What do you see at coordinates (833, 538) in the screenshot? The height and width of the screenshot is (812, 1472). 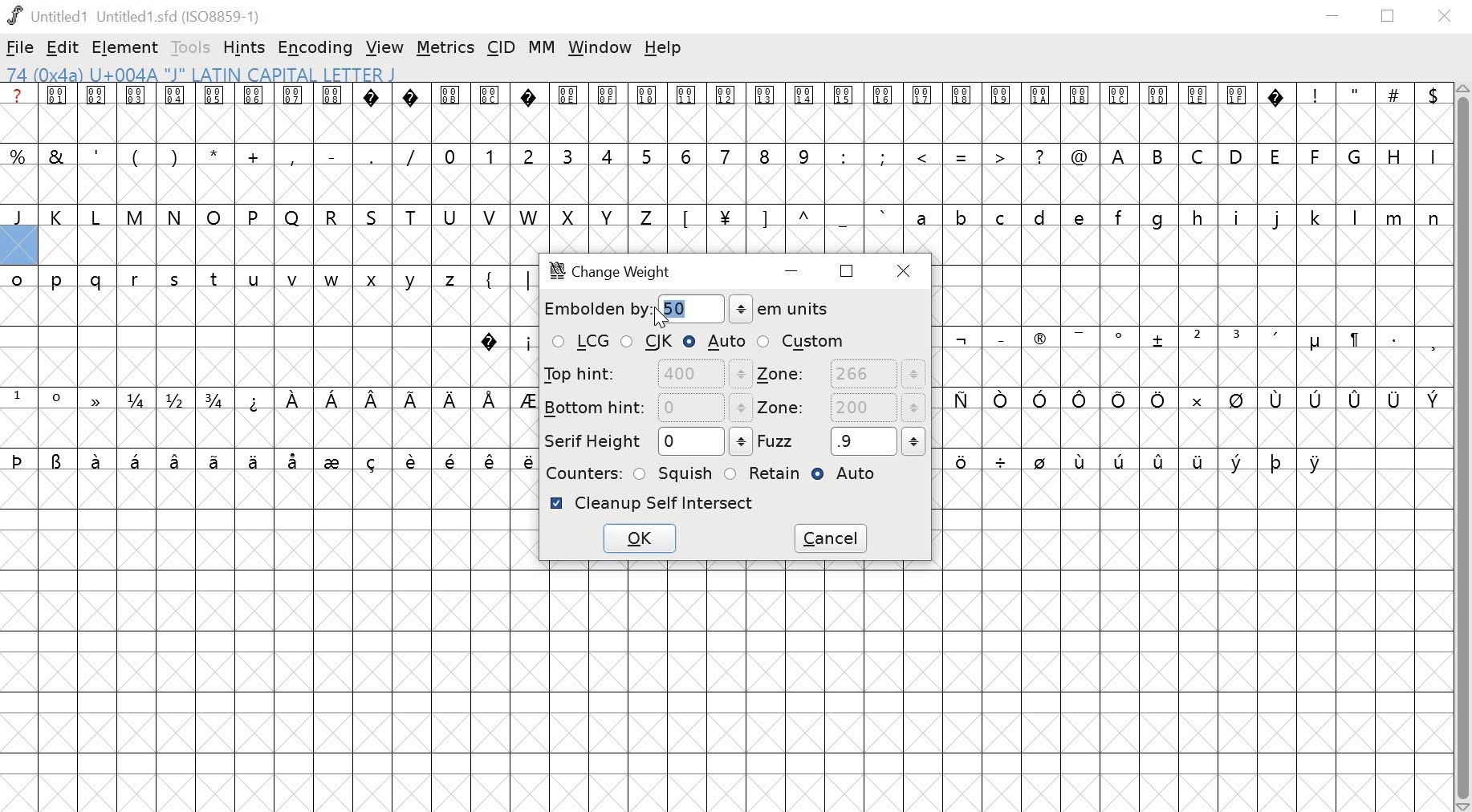 I see `CANCEL` at bounding box center [833, 538].